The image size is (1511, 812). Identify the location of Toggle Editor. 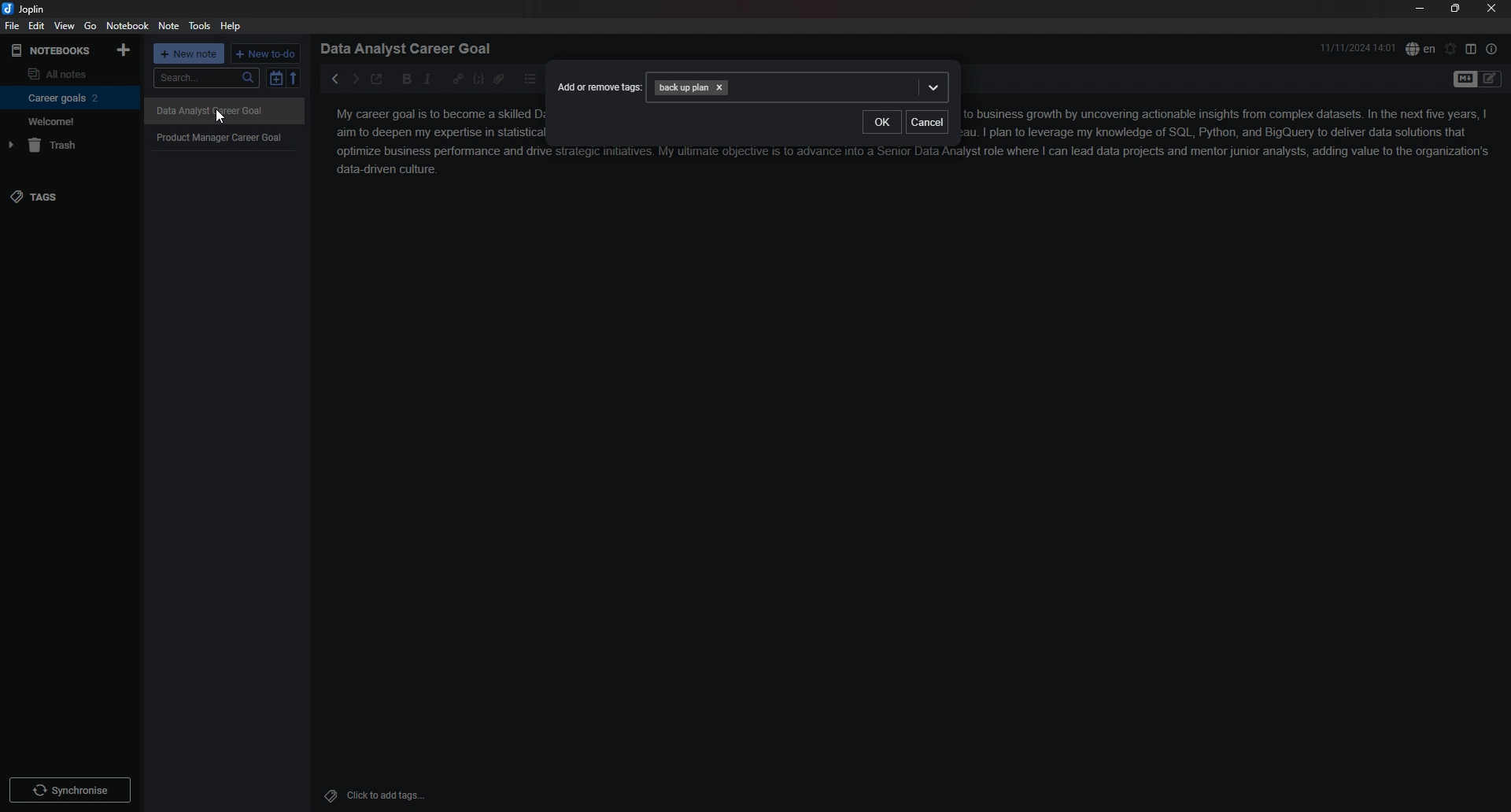
(1491, 80).